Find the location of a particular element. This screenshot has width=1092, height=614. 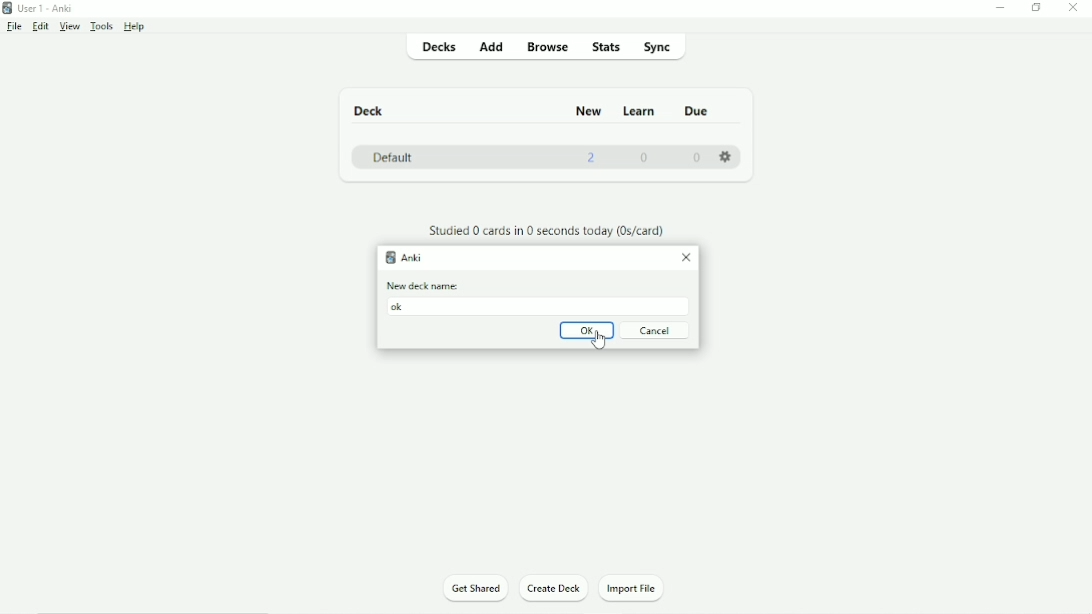

Browse is located at coordinates (549, 46).